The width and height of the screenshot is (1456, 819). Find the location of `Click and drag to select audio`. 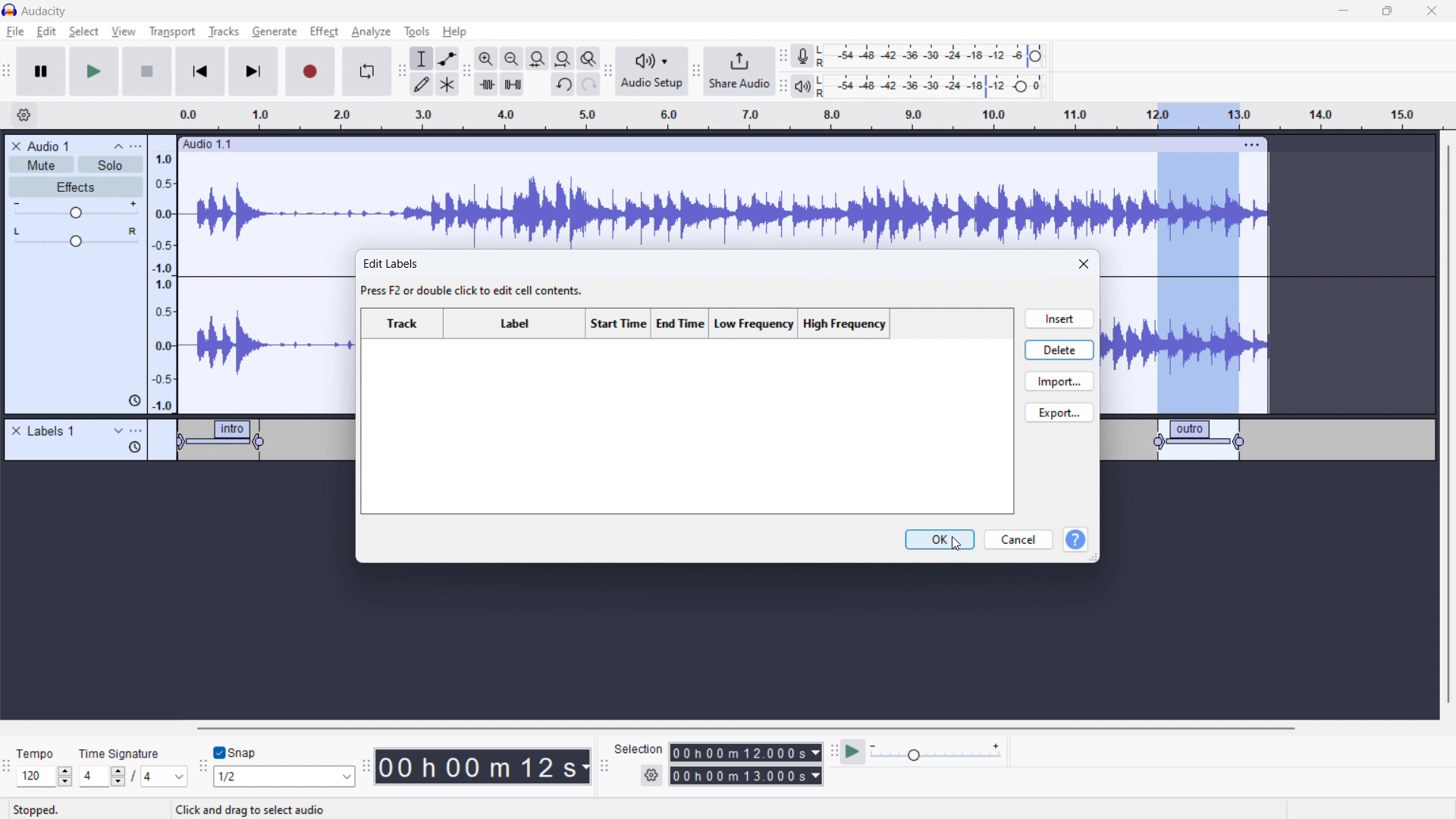

Click and drag to select audio is located at coordinates (249, 808).